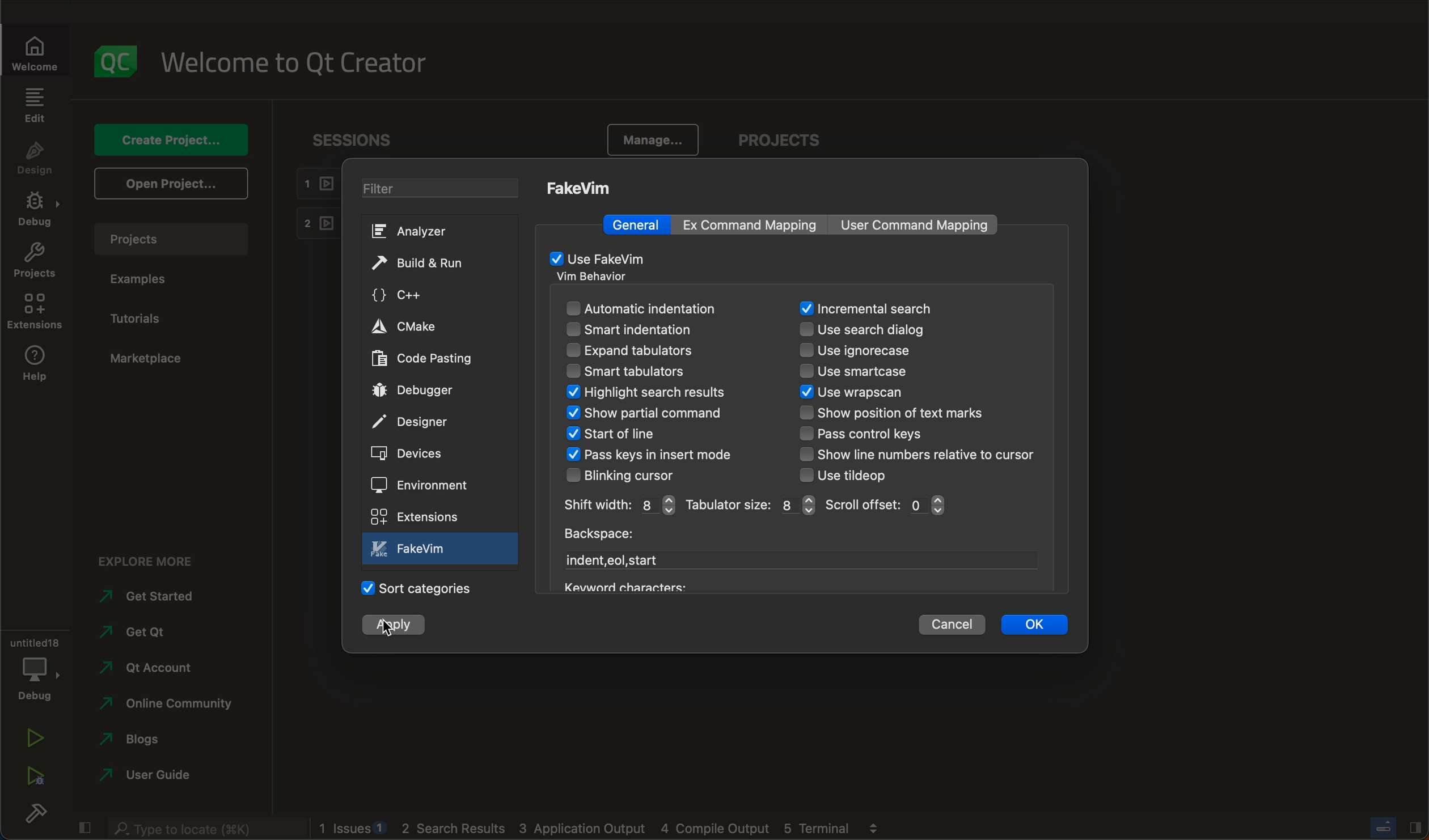 Image resolution: width=1429 pixels, height=840 pixels. Describe the element at coordinates (150, 358) in the screenshot. I see `marketplace` at that location.